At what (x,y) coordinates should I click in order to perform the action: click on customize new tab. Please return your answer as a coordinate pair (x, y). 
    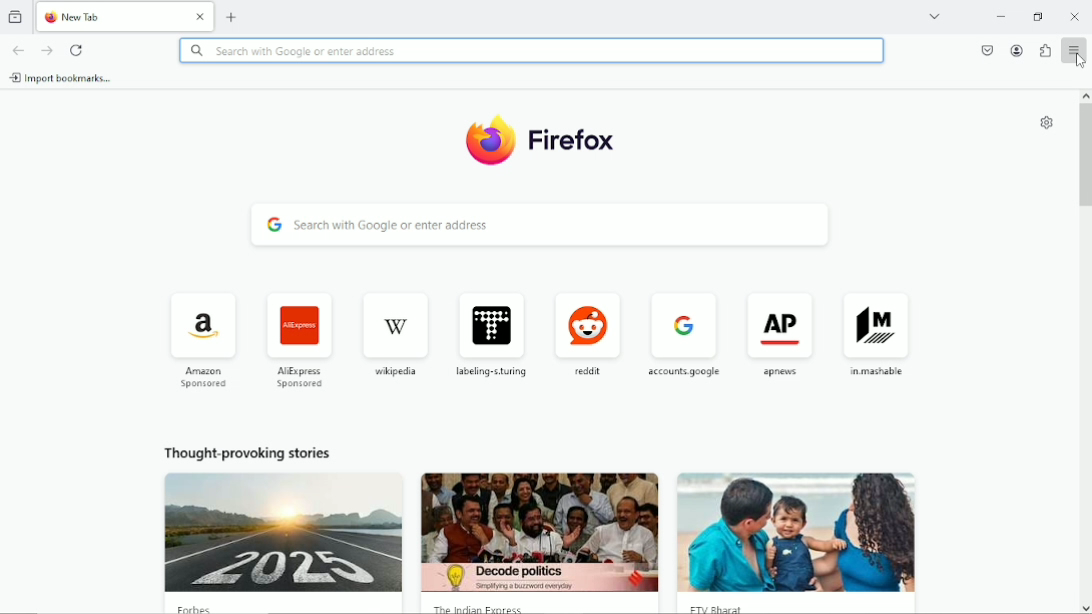
    Looking at the image, I should click on (1046, 122).